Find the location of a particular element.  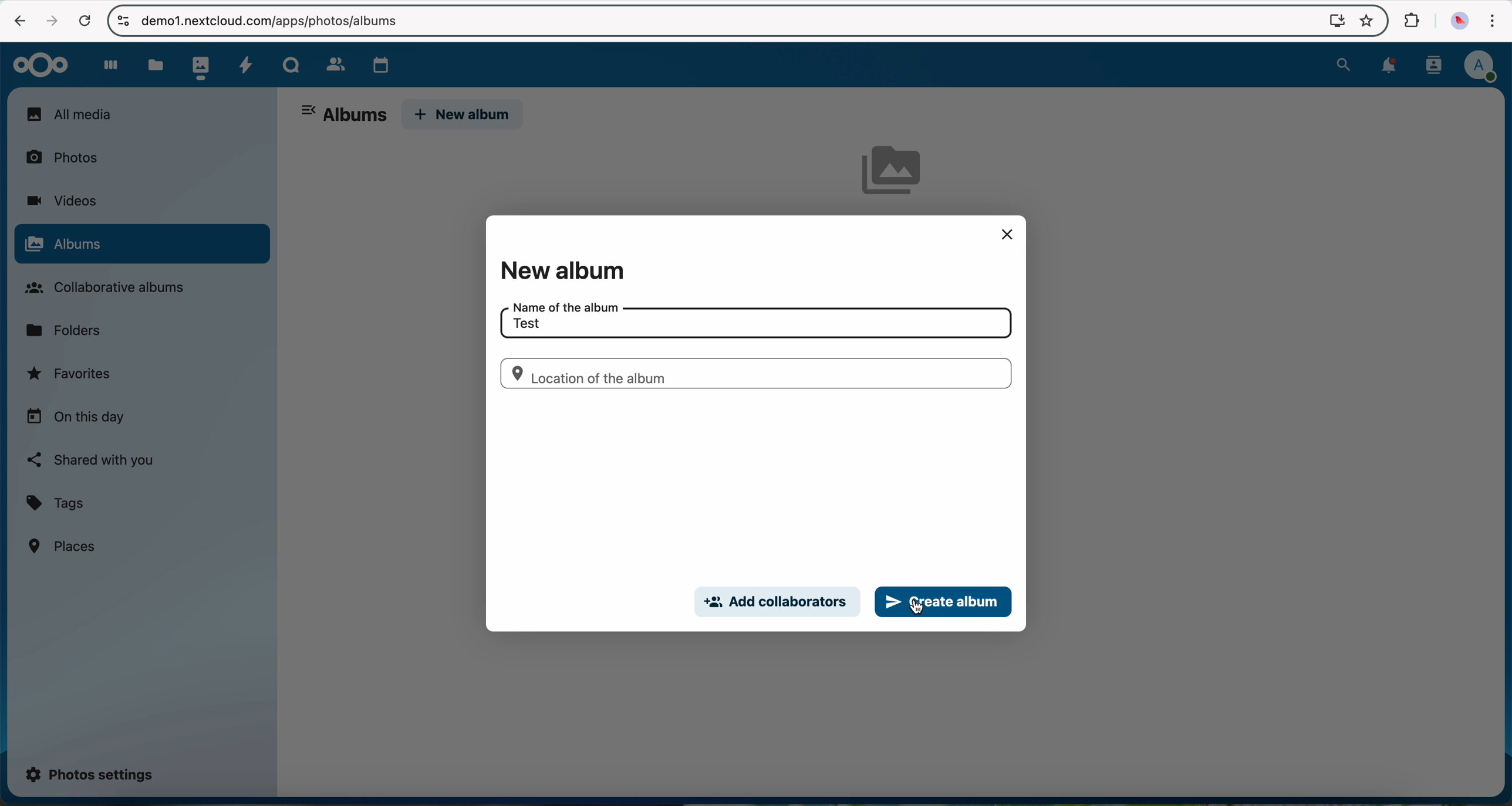

cursor is located at coordinates (921, 614).